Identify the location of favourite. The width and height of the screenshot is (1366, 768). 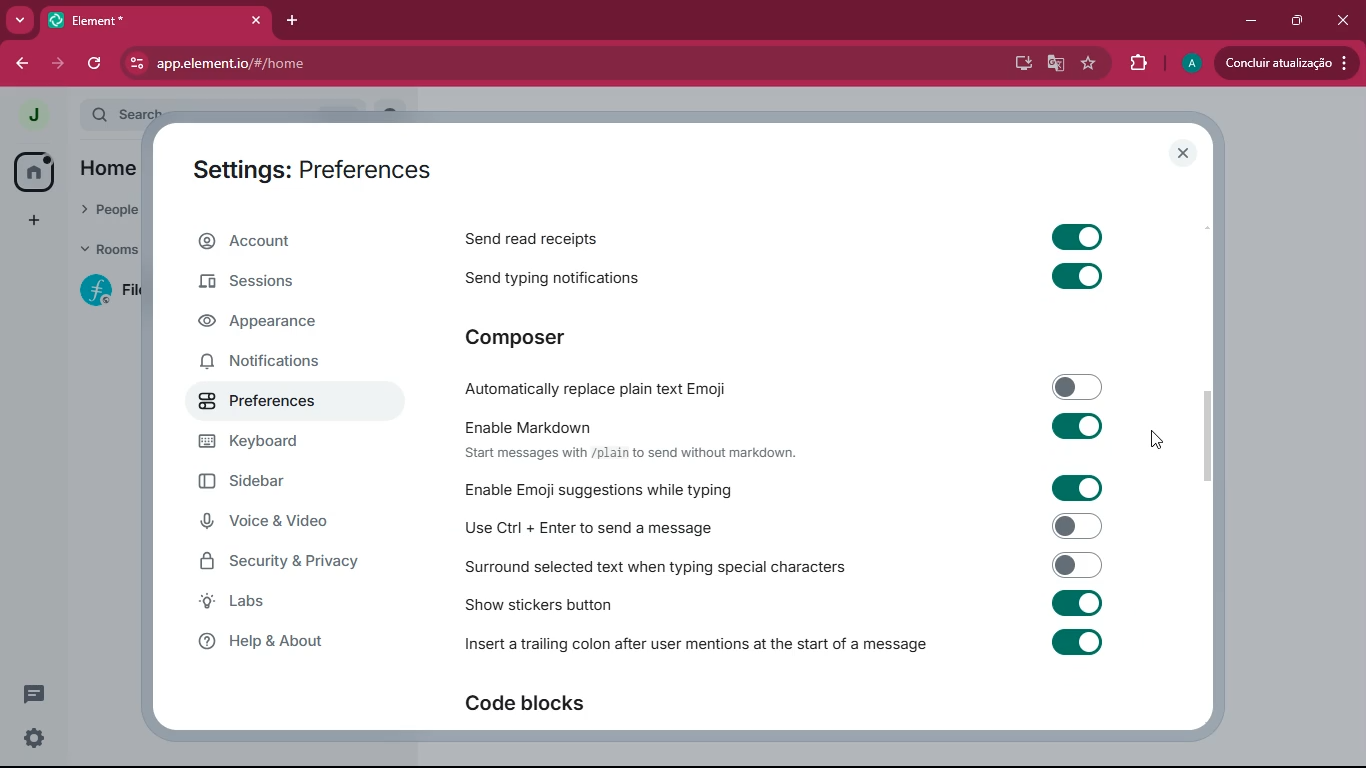
(1091, 63).